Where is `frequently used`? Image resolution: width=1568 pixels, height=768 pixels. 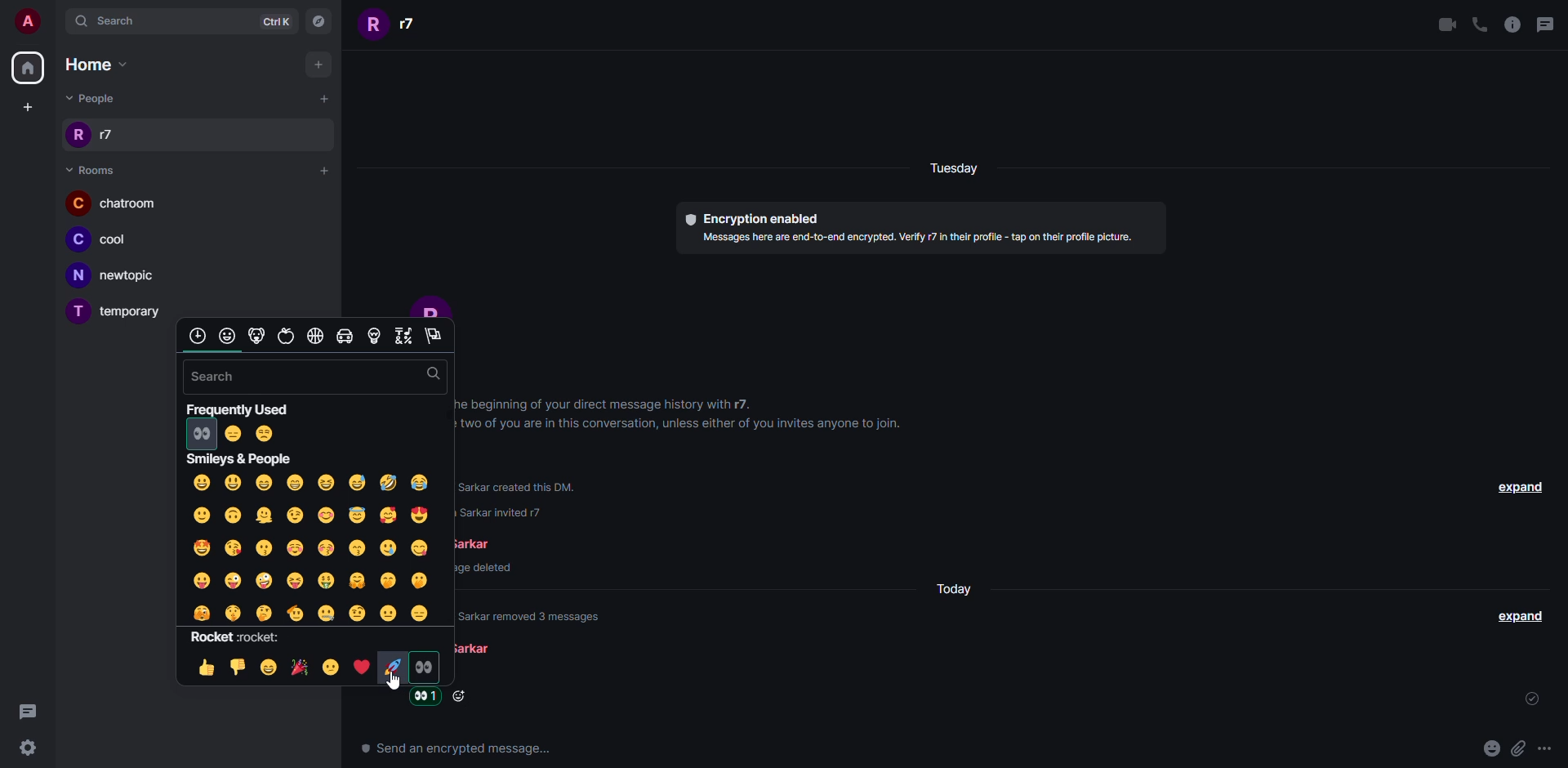 frequently used is located at coordinates (241, 409).